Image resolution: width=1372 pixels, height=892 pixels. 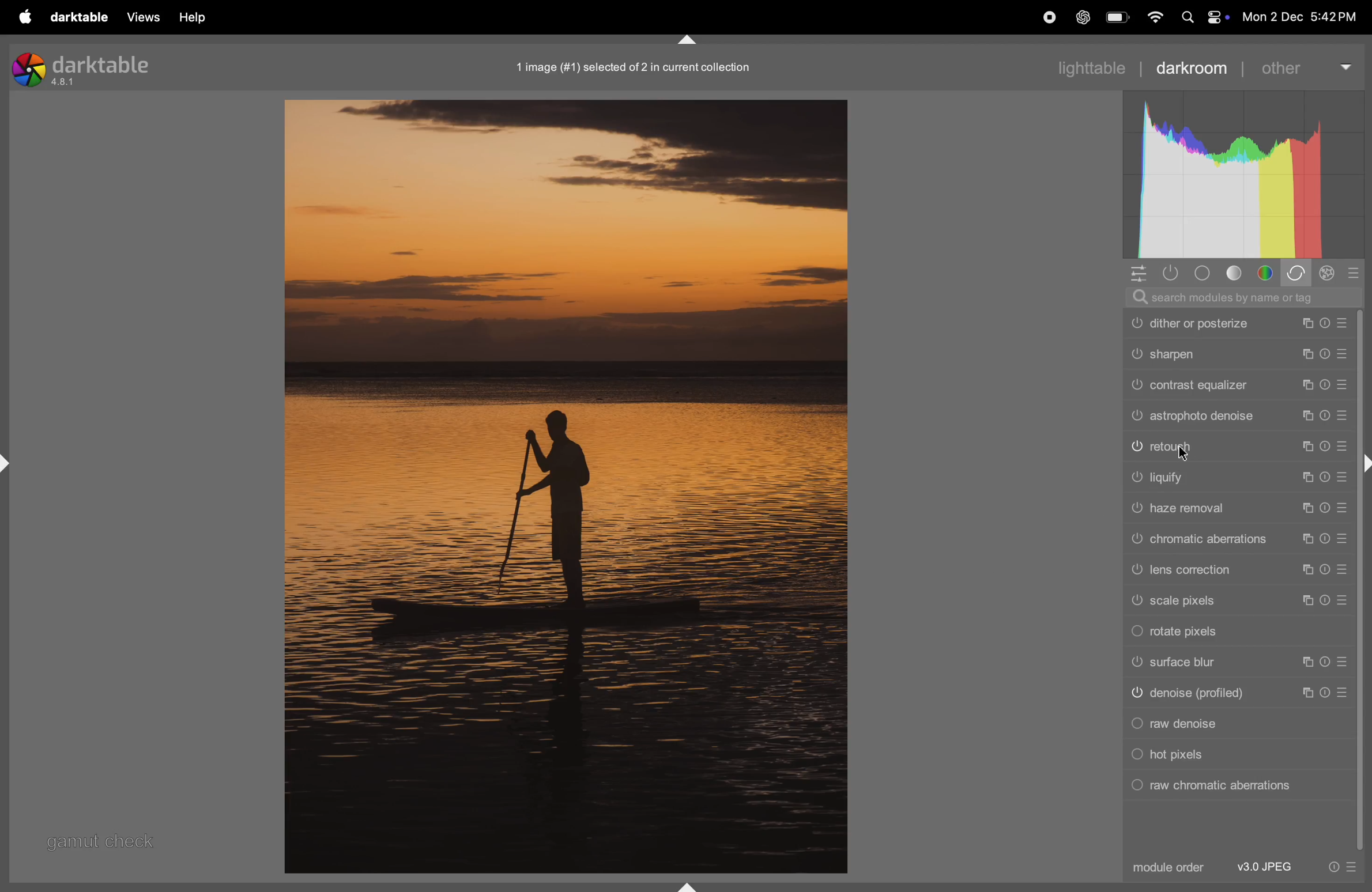 What do you see at coordinates (1192, 68) in the screenshot?
I see `darkroom` at bounding box center [1192, 68].